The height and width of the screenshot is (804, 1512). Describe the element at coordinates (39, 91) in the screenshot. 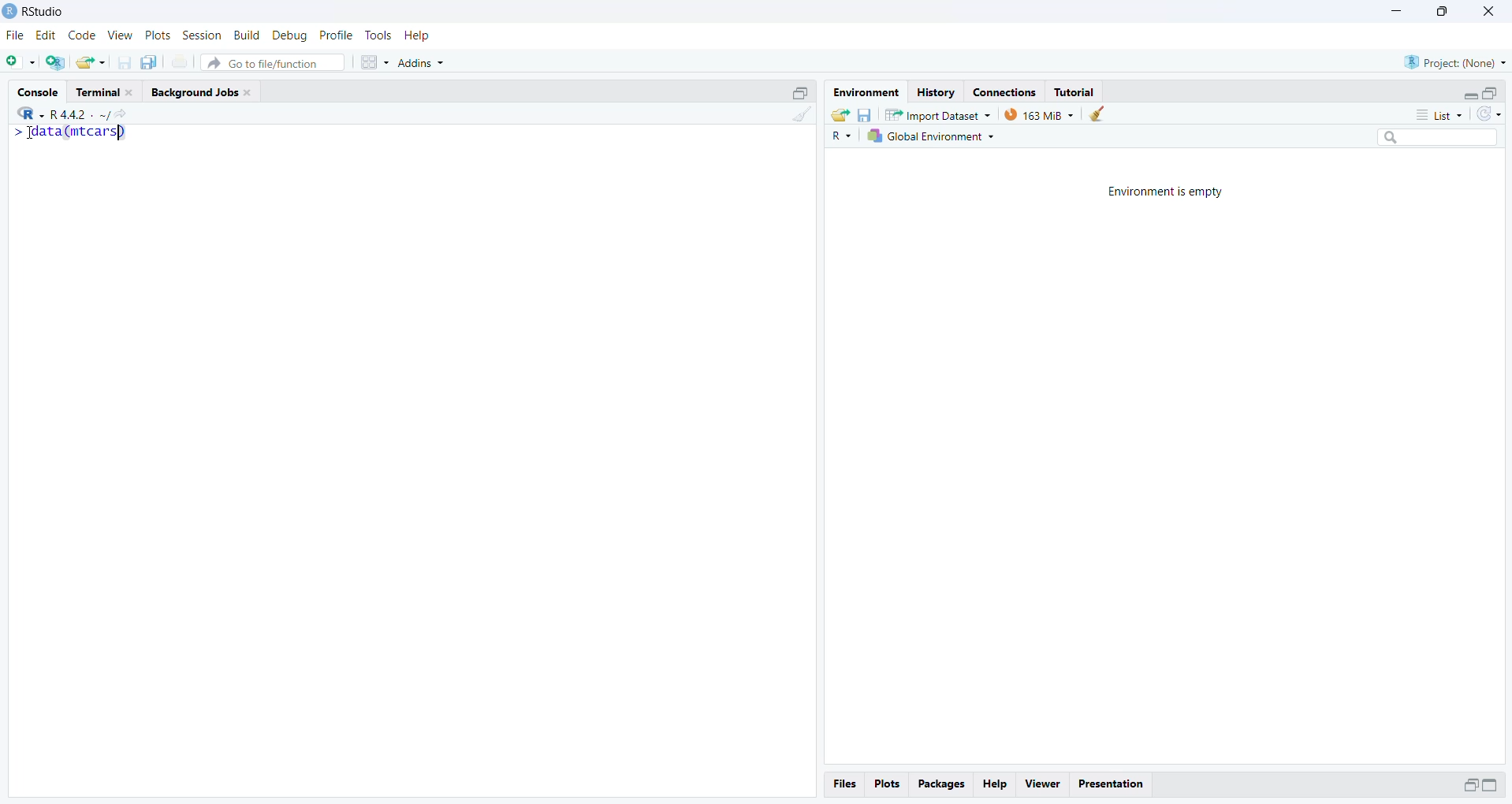

I see `Console` at that location.